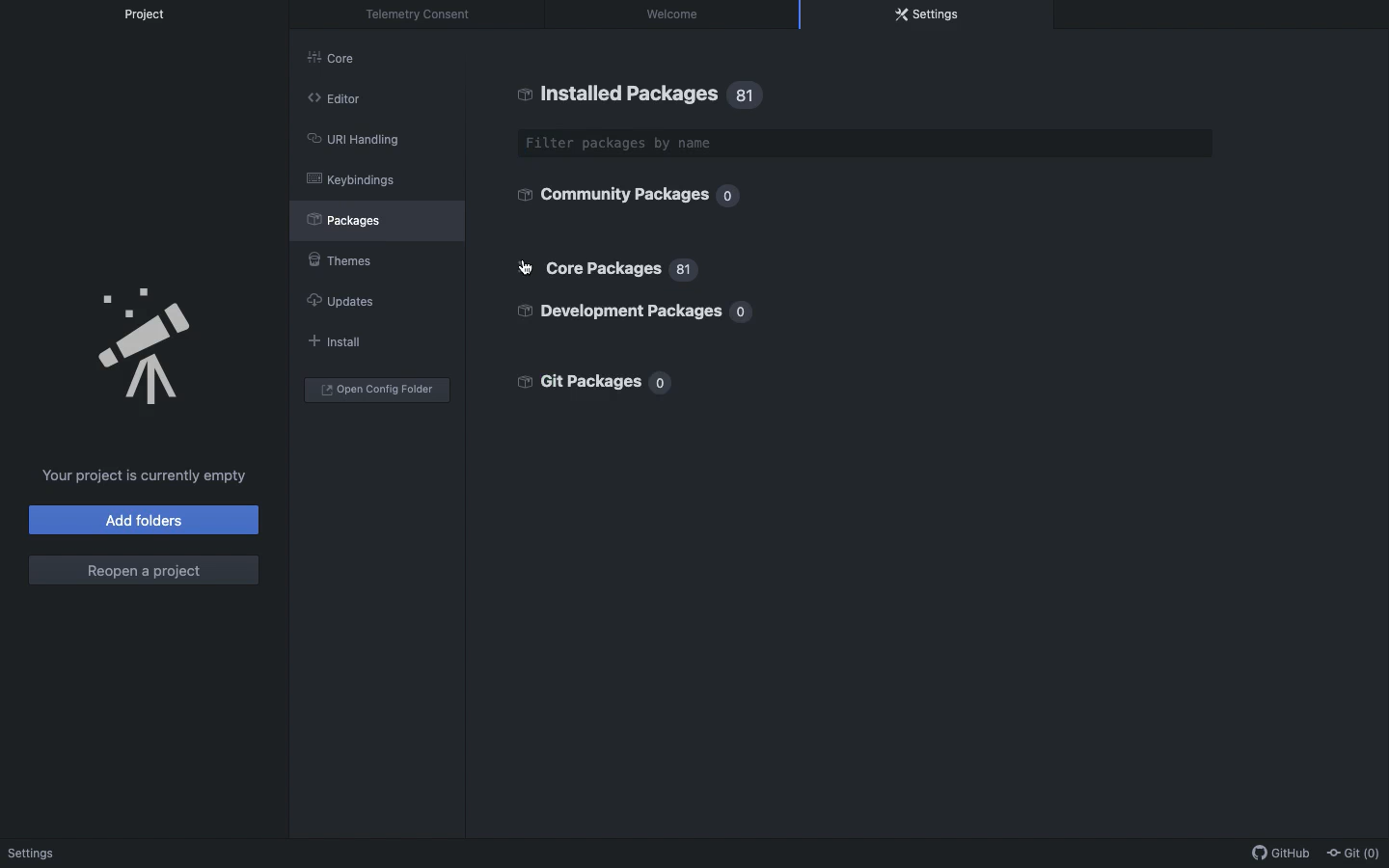  Describe the element at coordinates (617, 94) in the screenshot. I see `Installed packages` at that location.